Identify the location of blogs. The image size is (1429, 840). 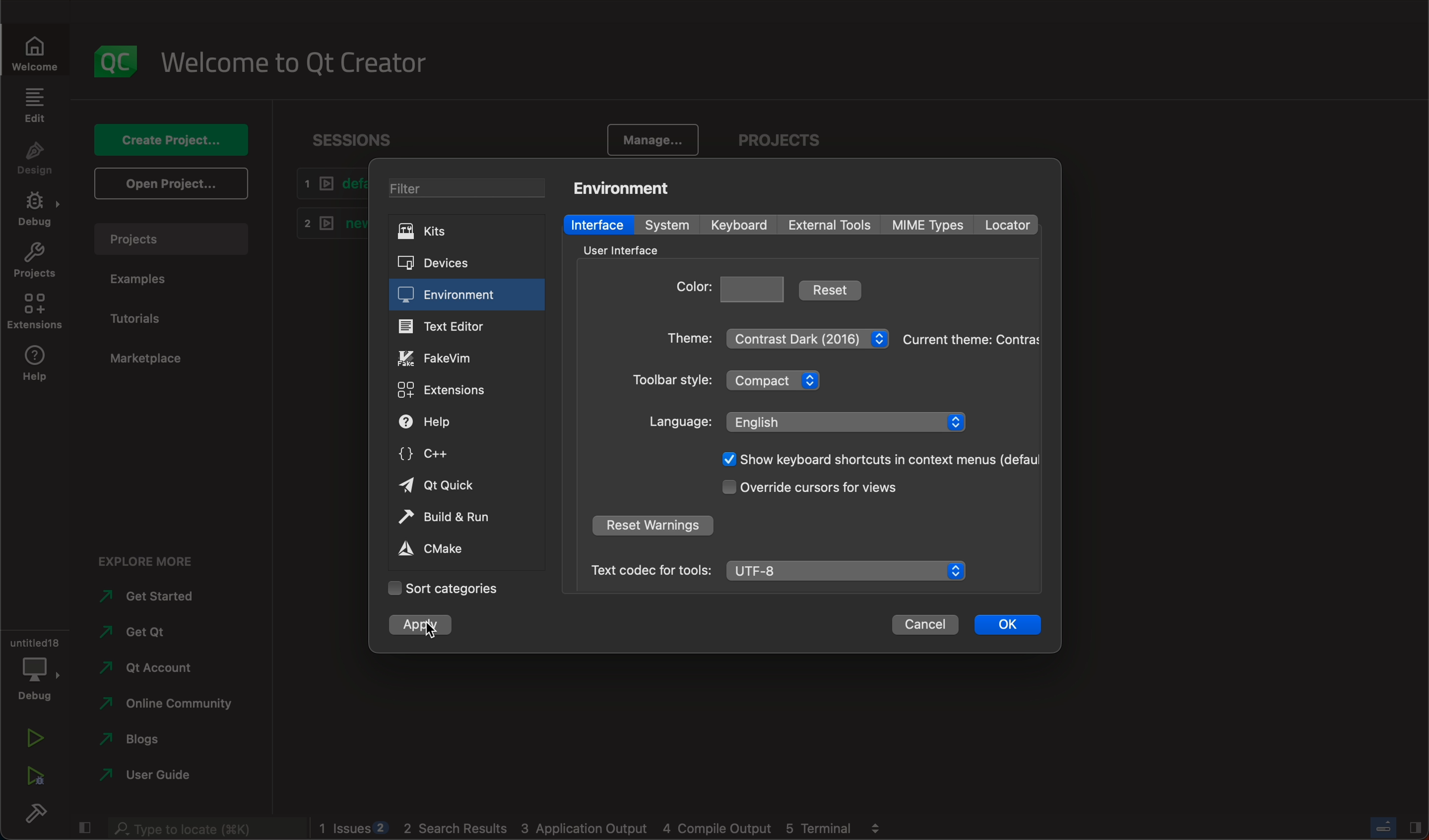
(160, 741).